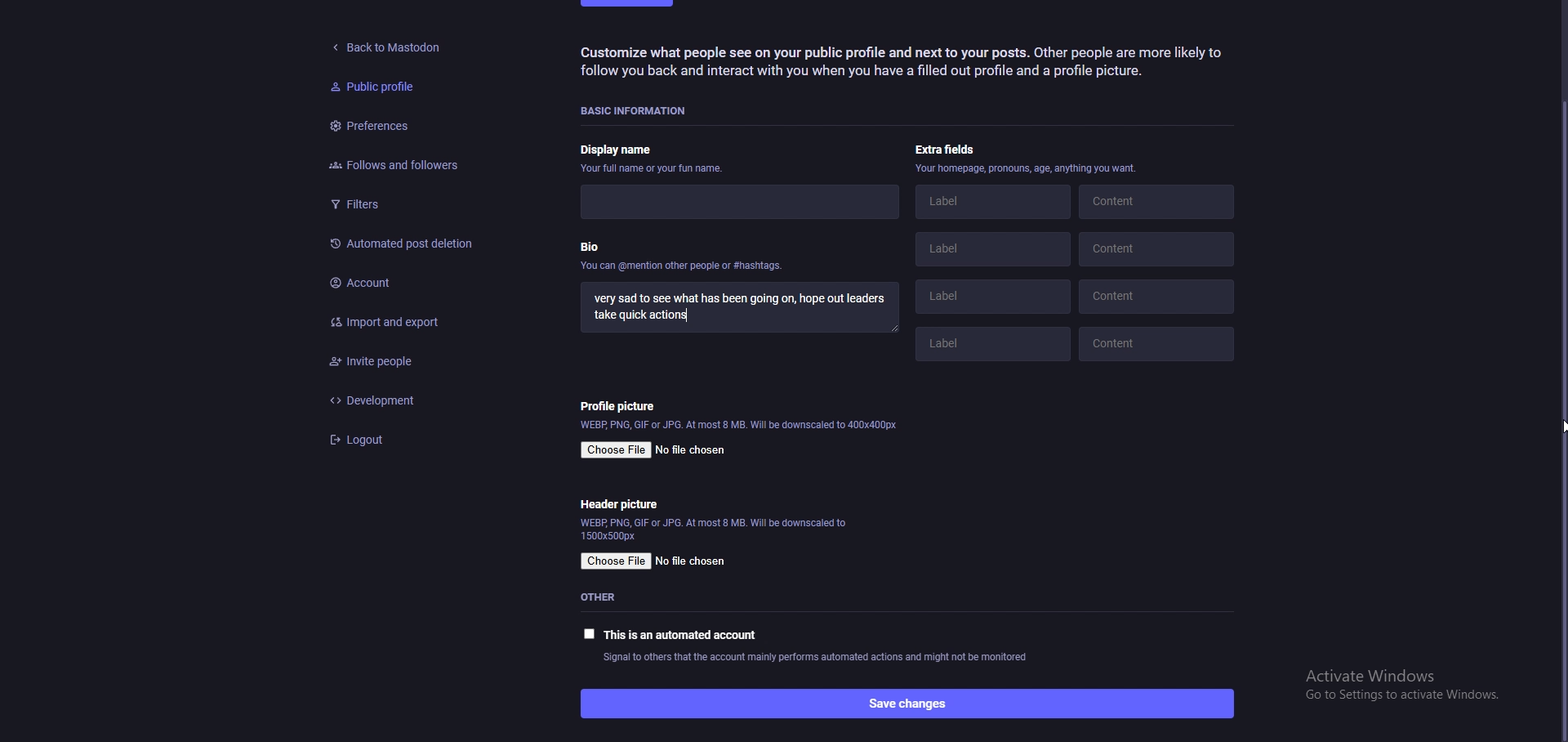 Image resolution: width=1568 pixels, height=742 pixels. What do you see at coordinates (388, 165) in the screenshot?
I see `Follows and followers` at bounding box center [388, 165].